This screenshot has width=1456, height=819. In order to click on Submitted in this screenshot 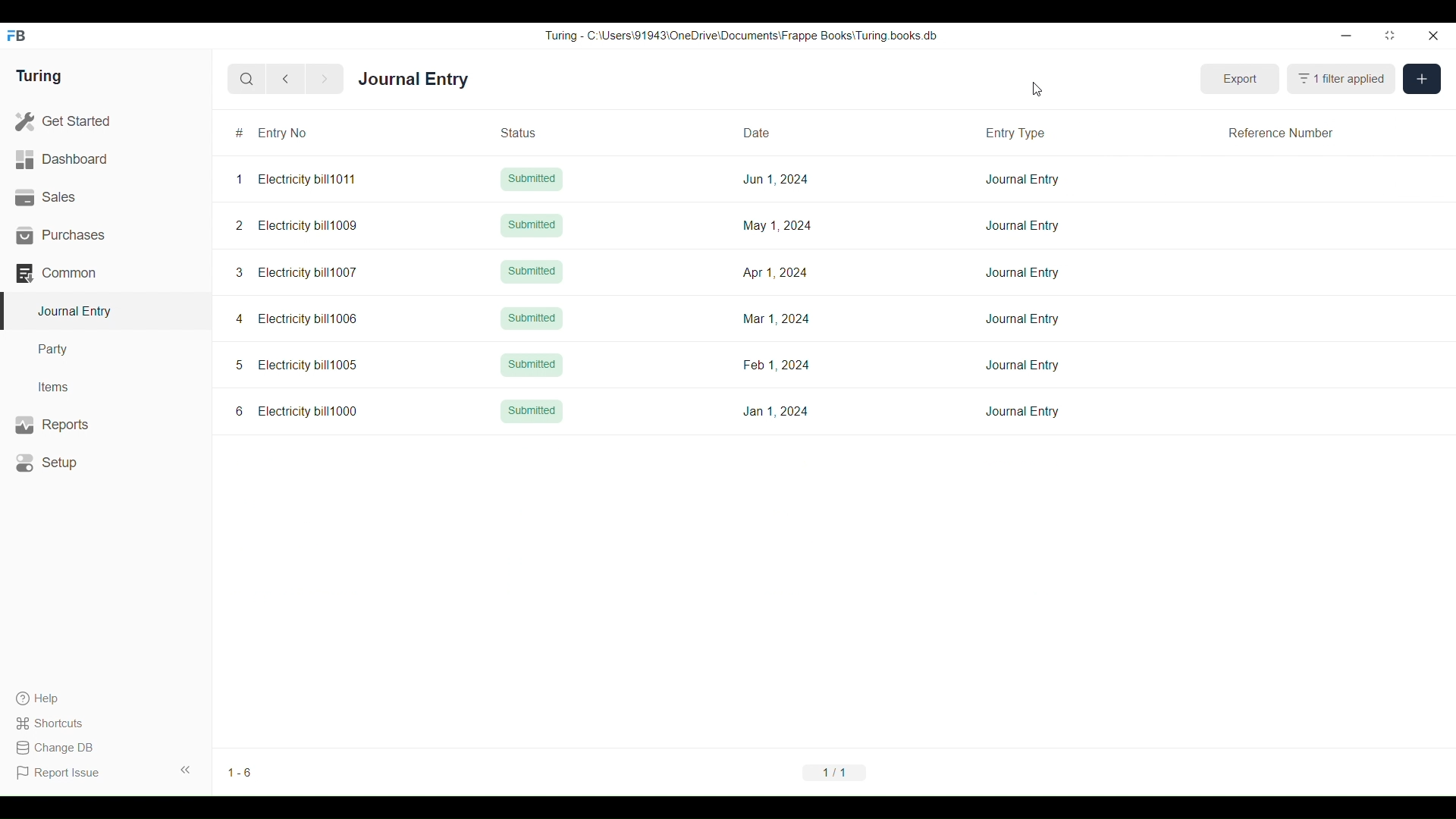, I will do `click(531, 318)`.